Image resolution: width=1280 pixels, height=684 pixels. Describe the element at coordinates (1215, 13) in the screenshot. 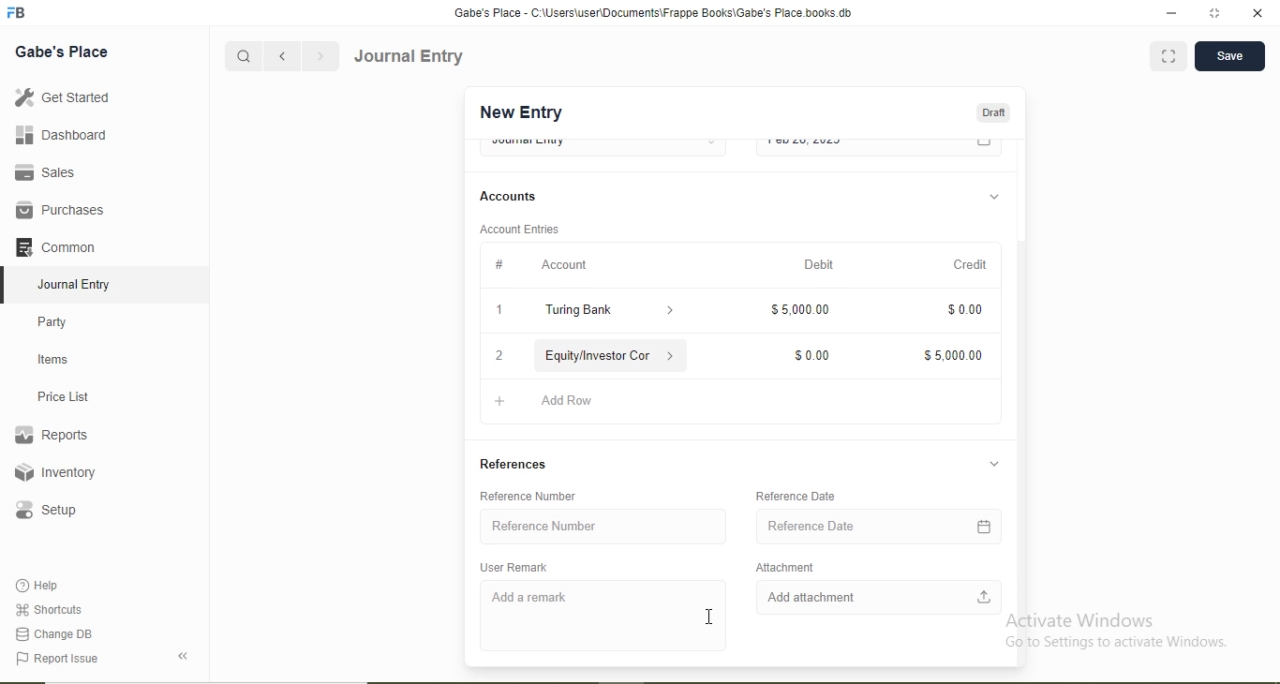

I see `full screen` at that location.